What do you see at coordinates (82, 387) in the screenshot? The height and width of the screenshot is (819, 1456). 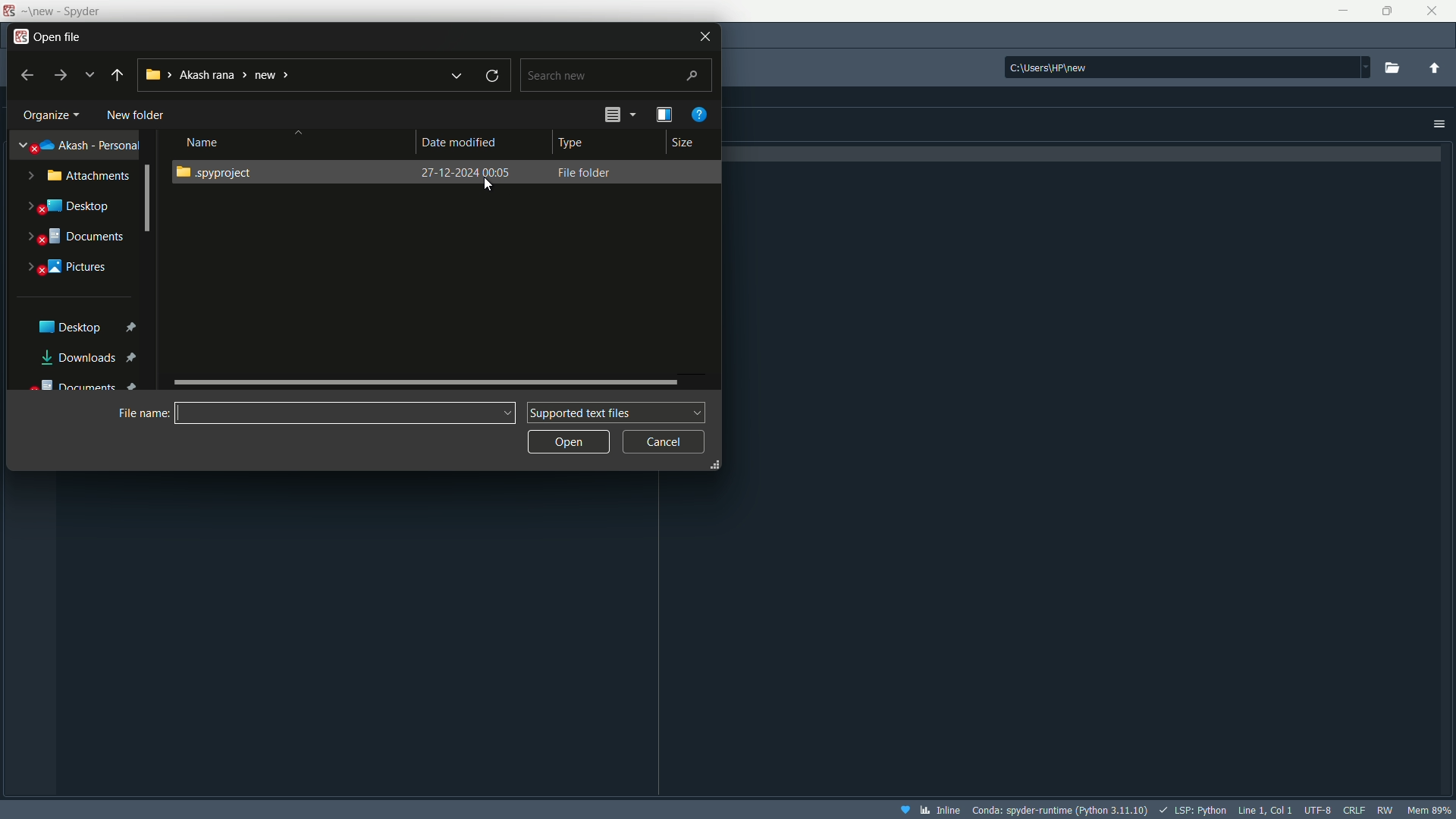 I see `Documents` at bounding box center [82, 387].